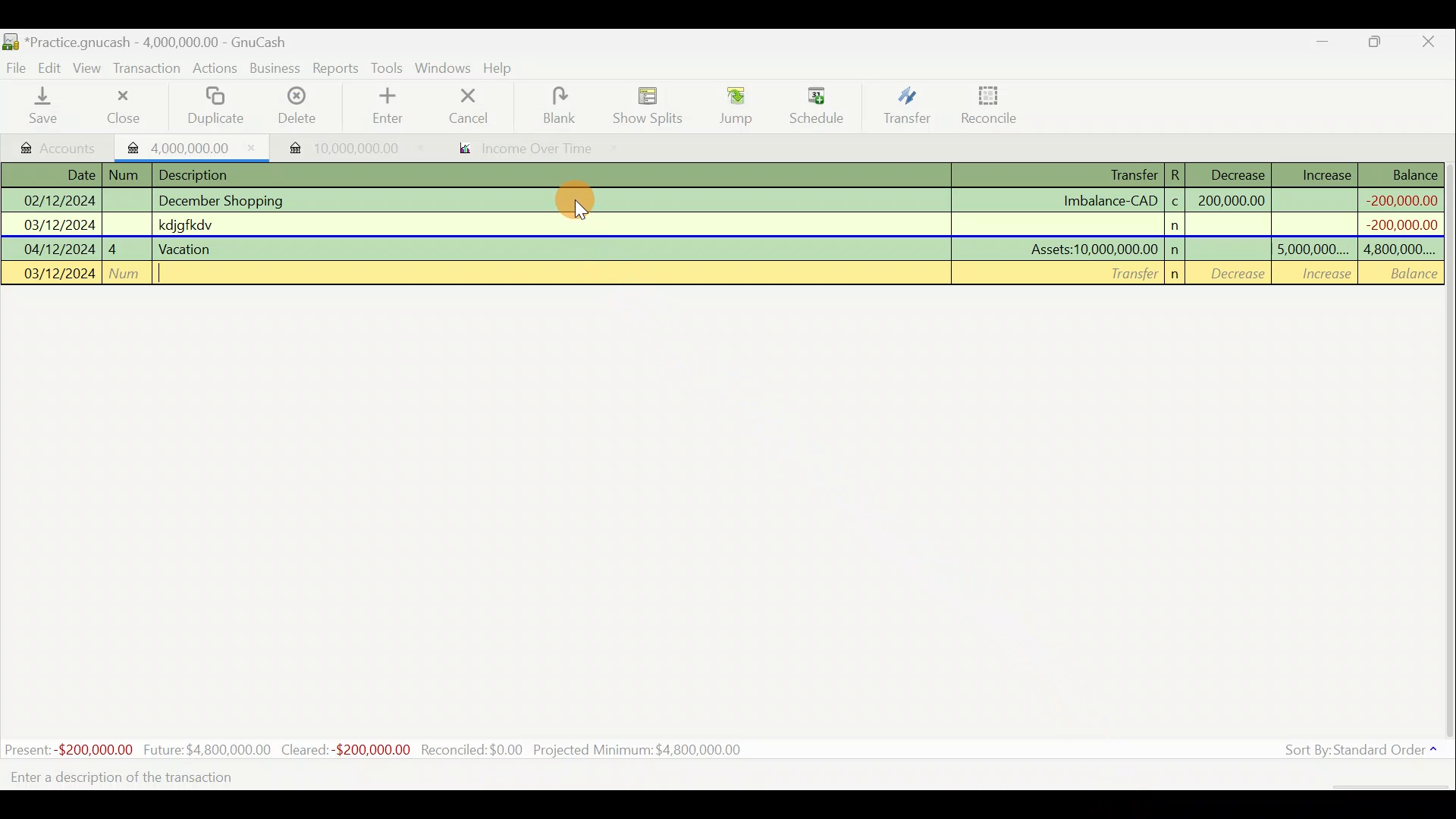  What do you see at coordinates (445, 69) in the screenshot?
I see `Windows` at bounding box center [445, 69].